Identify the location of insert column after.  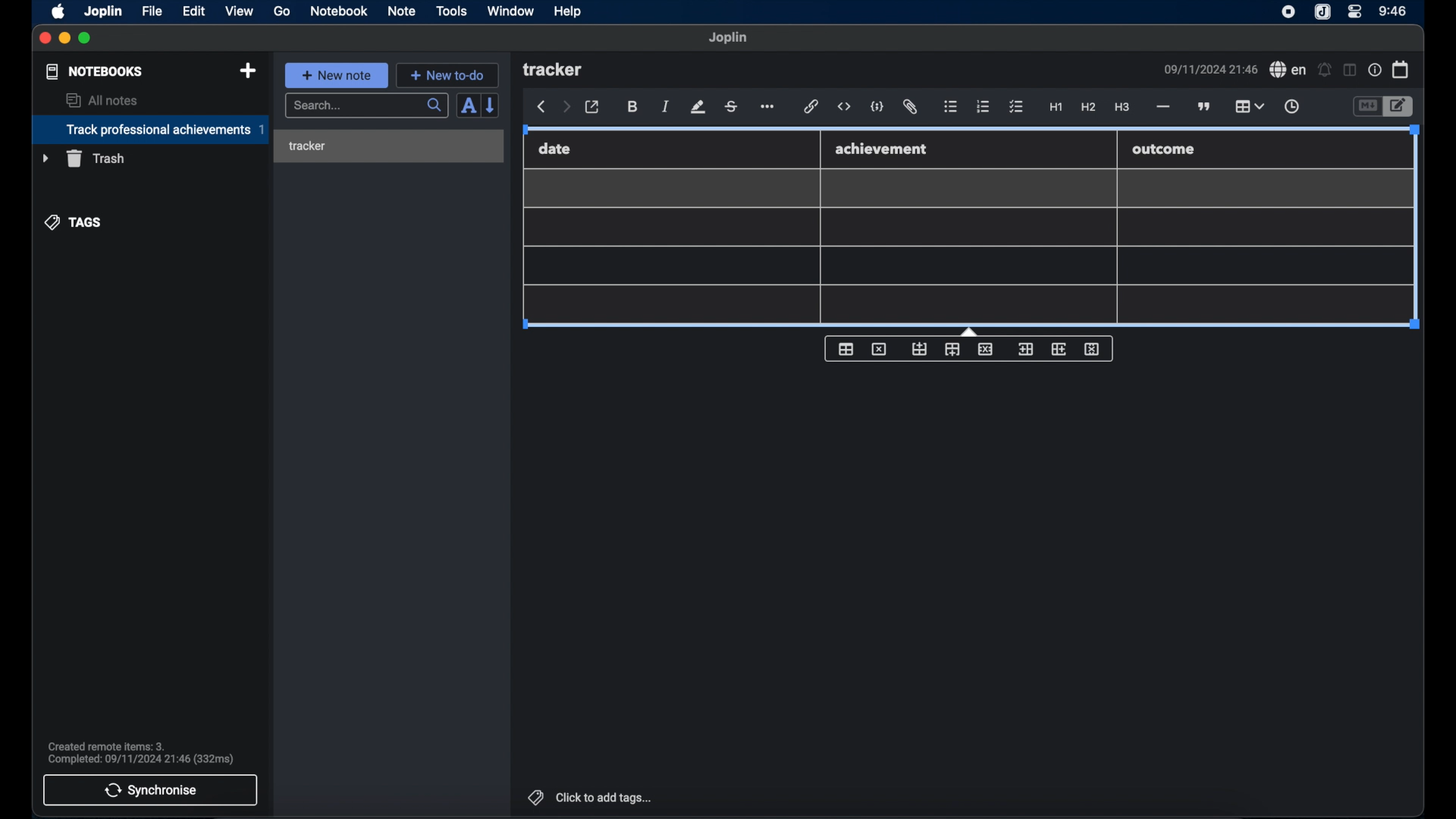
(1059, 349).